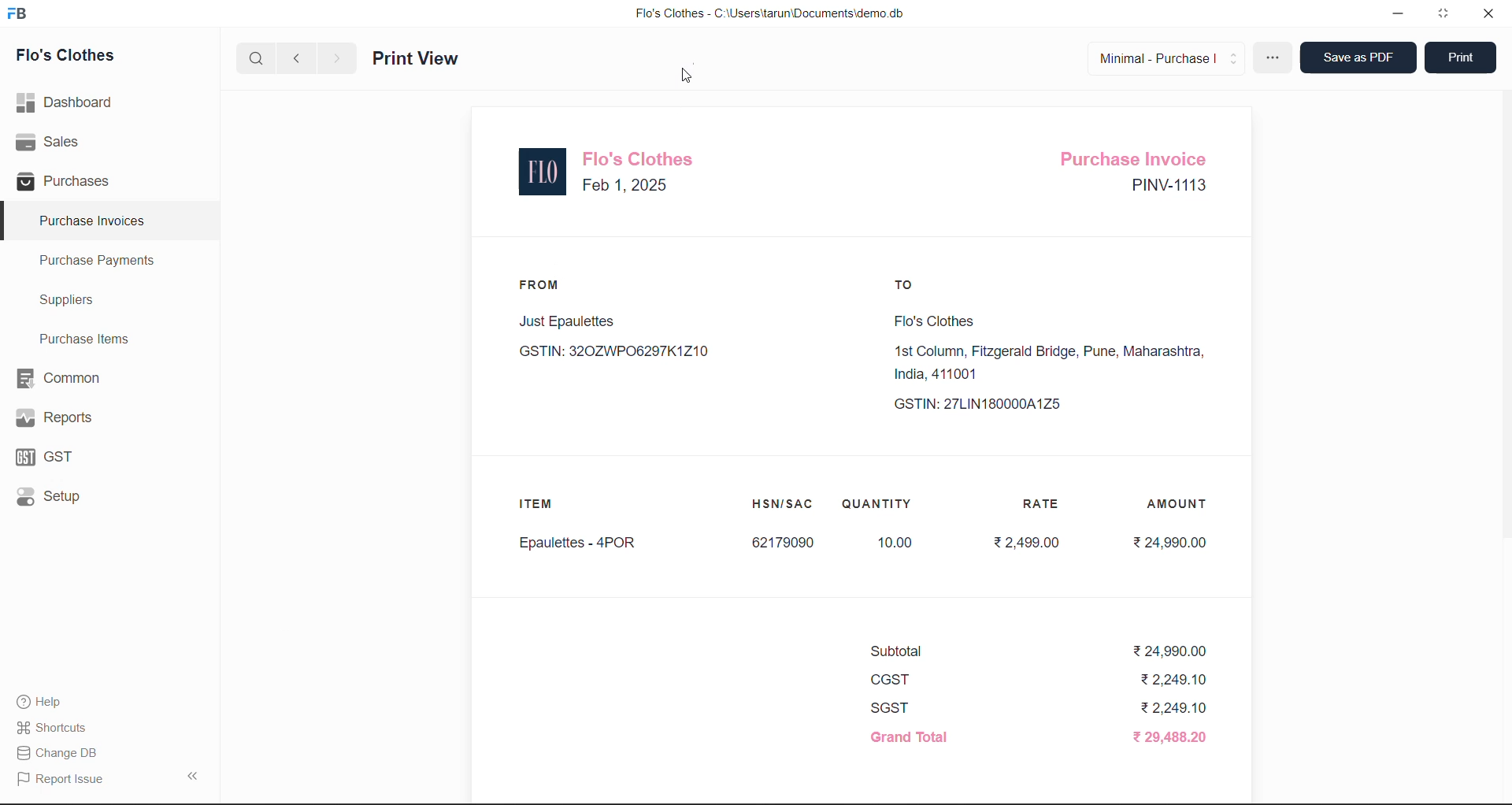 The width and height of the screenshot is (1512, 805). I want to click on  GST, so click(64, 457).